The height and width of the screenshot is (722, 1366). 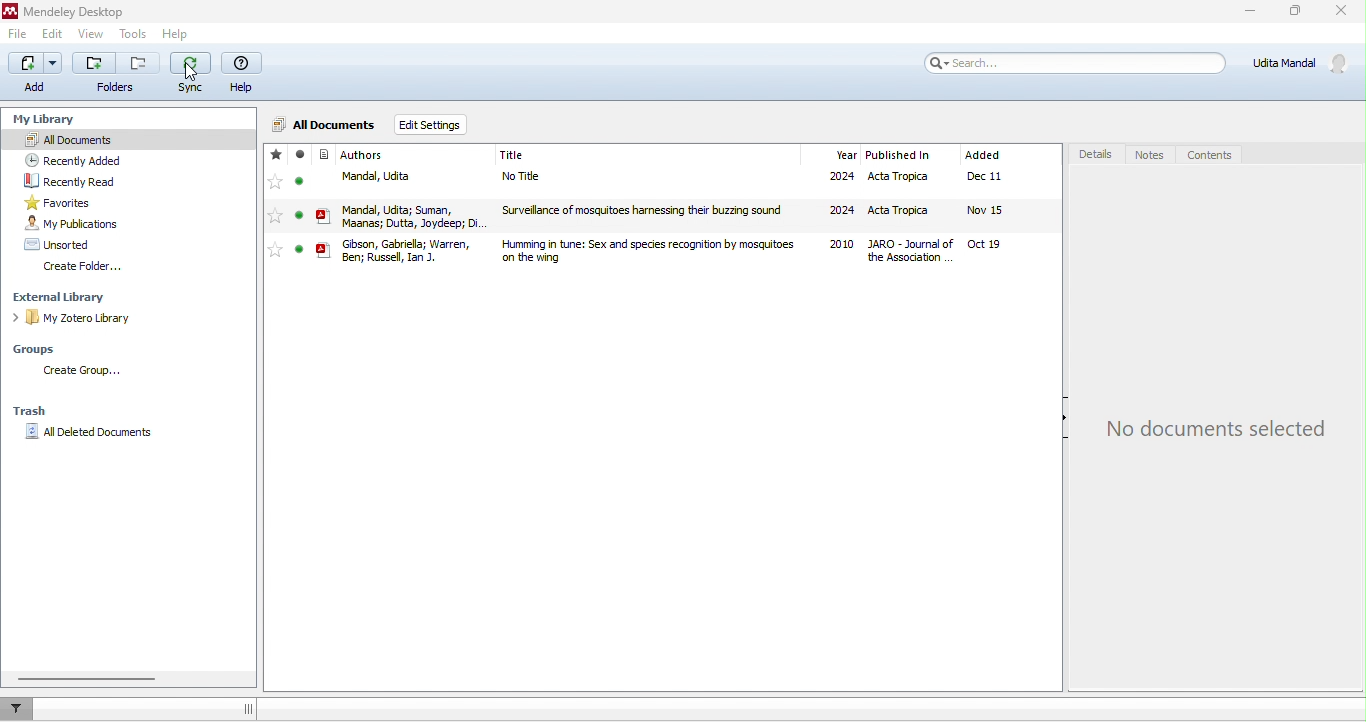 What do you see at coordinates (276, 155) in the screenshot?
I see `stared` at bounding box center [276, 155].